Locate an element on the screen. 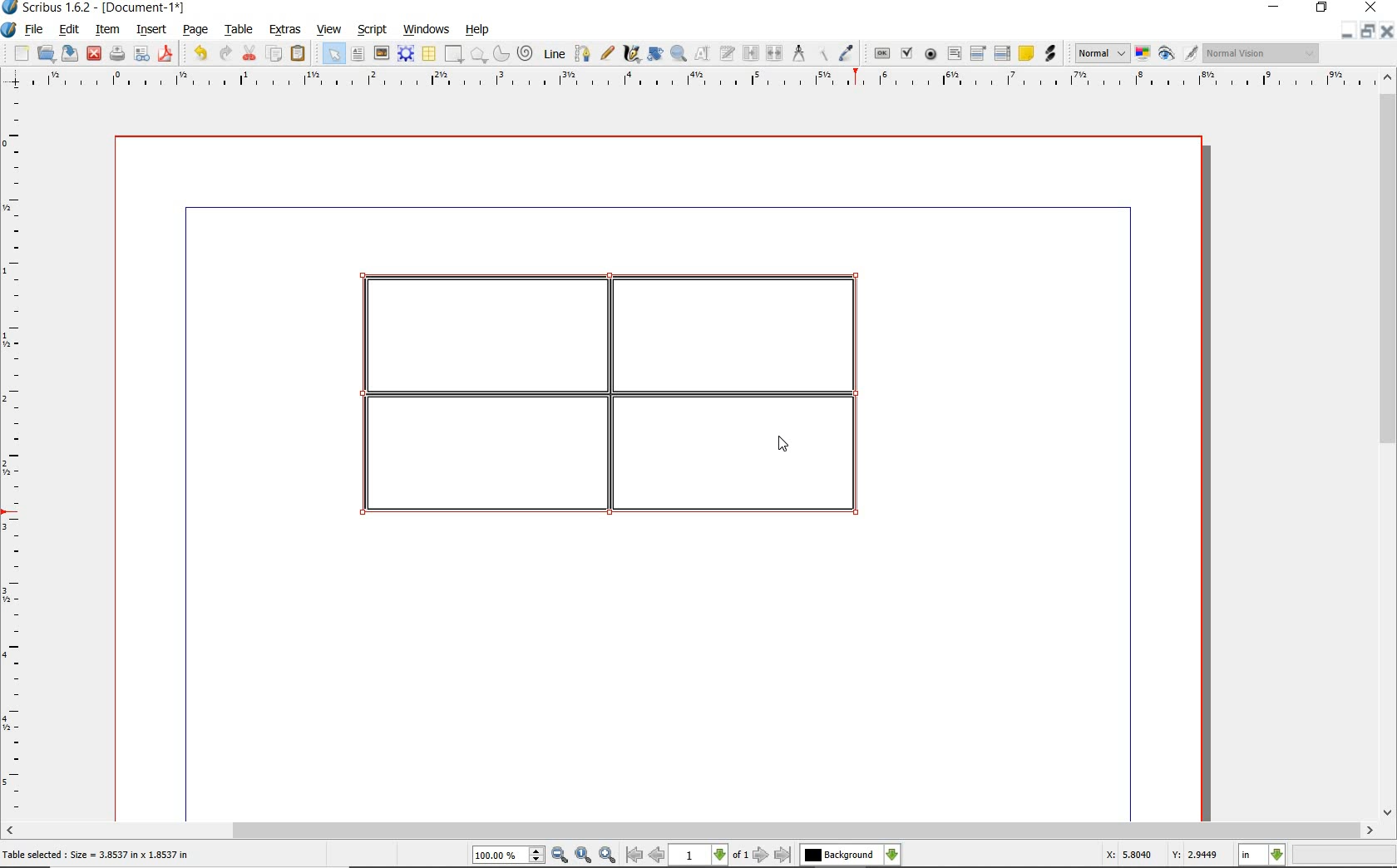 The width and height of the screenshot is (1397, 868). shape is located at coordinates (479, 56).